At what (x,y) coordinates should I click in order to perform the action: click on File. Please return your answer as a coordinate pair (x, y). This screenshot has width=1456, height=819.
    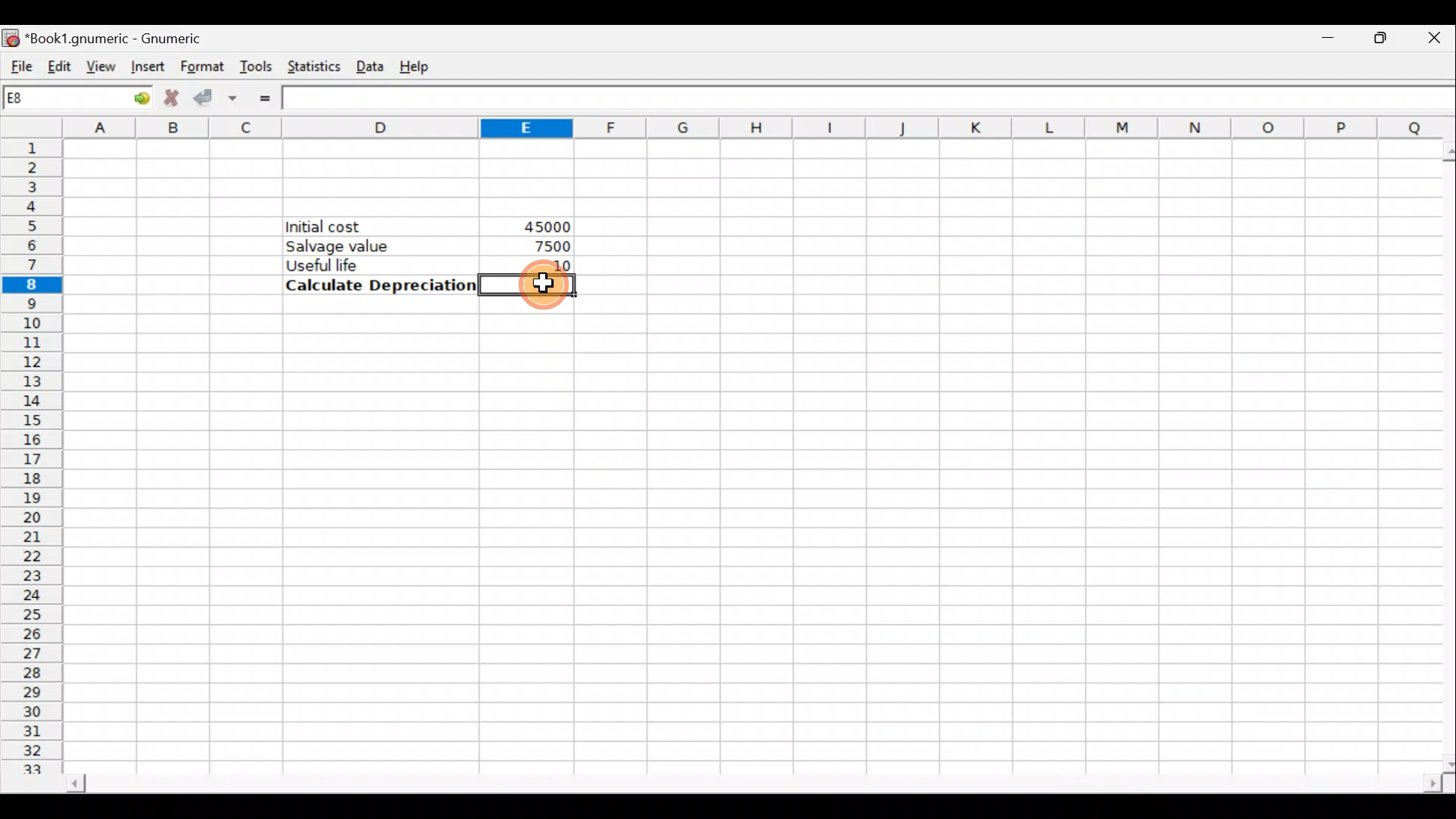
    Looking at the image, I should click on (19, 63).